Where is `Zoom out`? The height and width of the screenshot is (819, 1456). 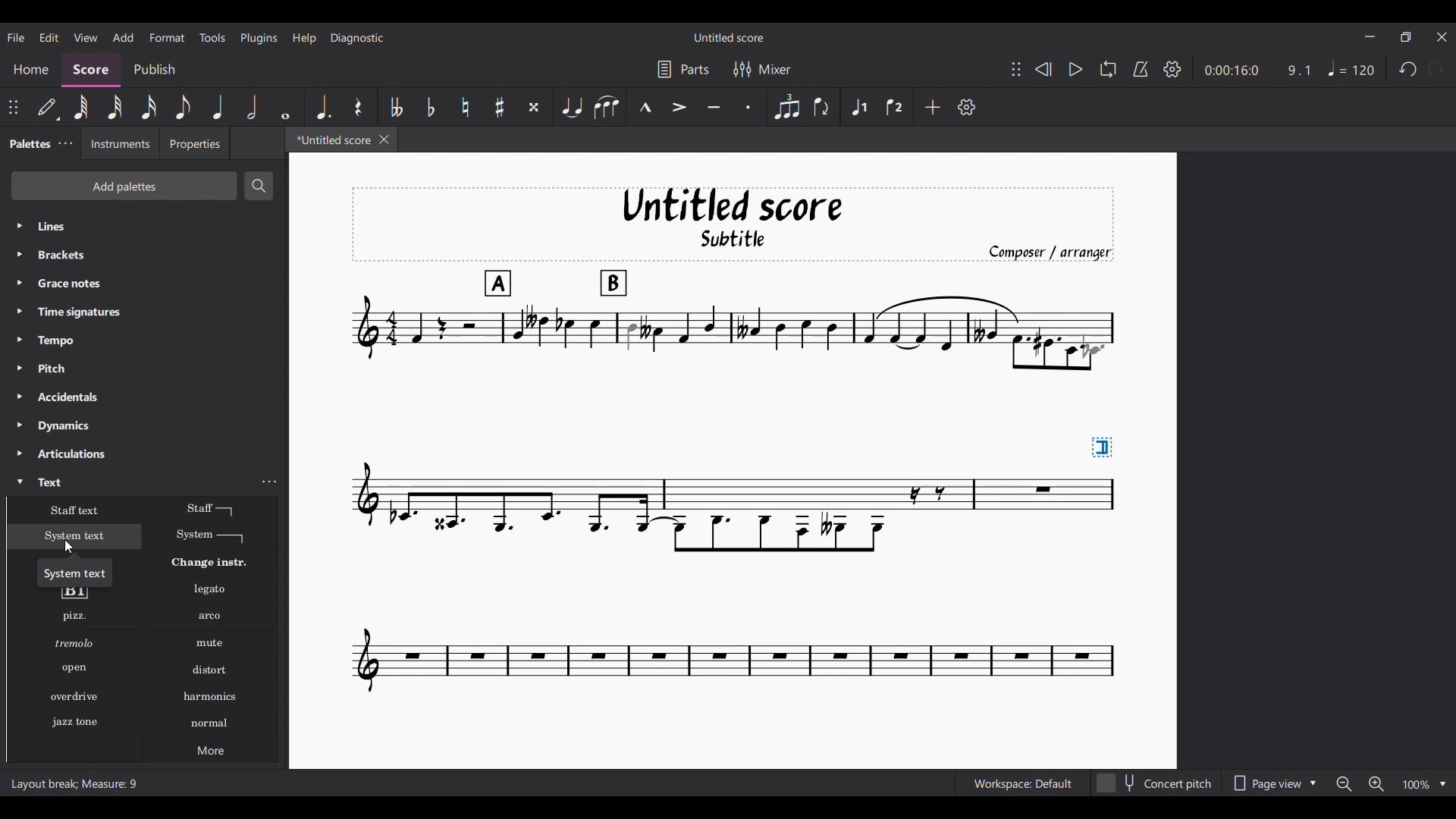
Zoom out is located at coordinates (1345, 783).